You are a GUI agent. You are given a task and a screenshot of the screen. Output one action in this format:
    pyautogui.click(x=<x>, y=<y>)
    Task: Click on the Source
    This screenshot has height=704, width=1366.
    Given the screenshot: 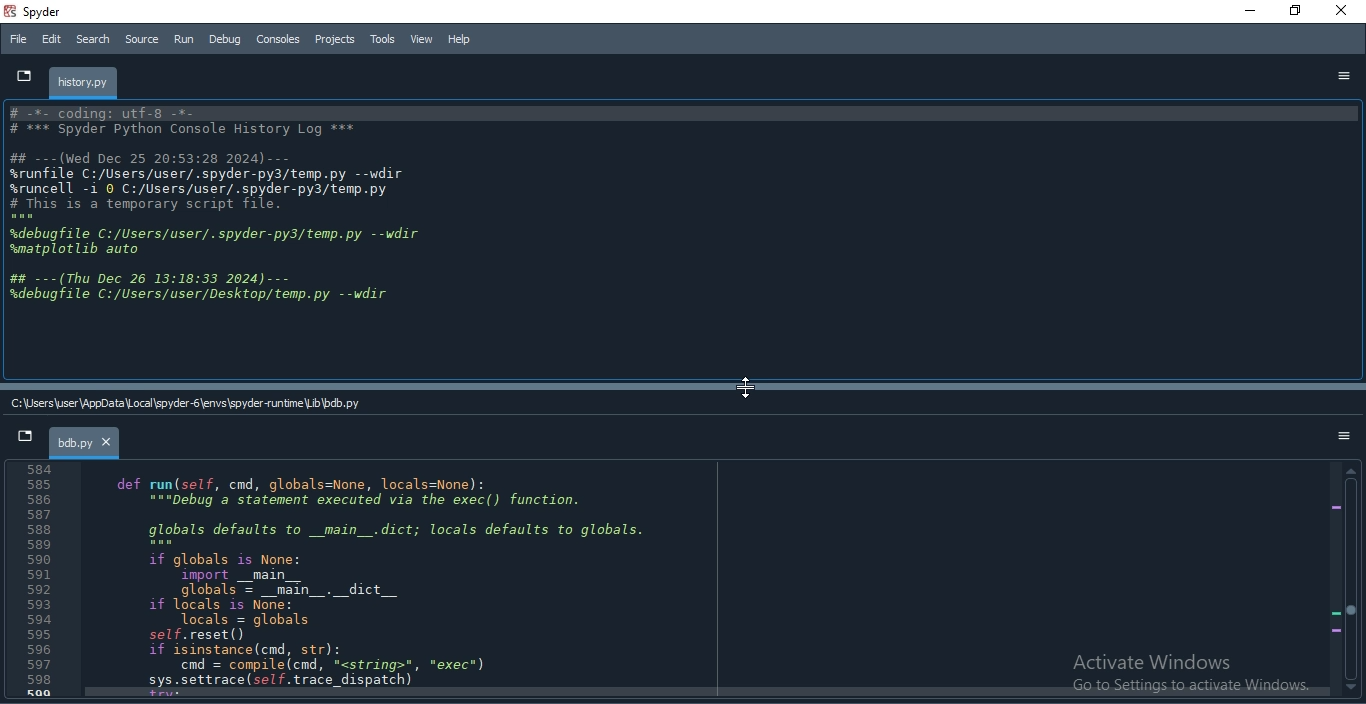 What is the action you would take?
    pyautogui.click(x=143, y=39)
    